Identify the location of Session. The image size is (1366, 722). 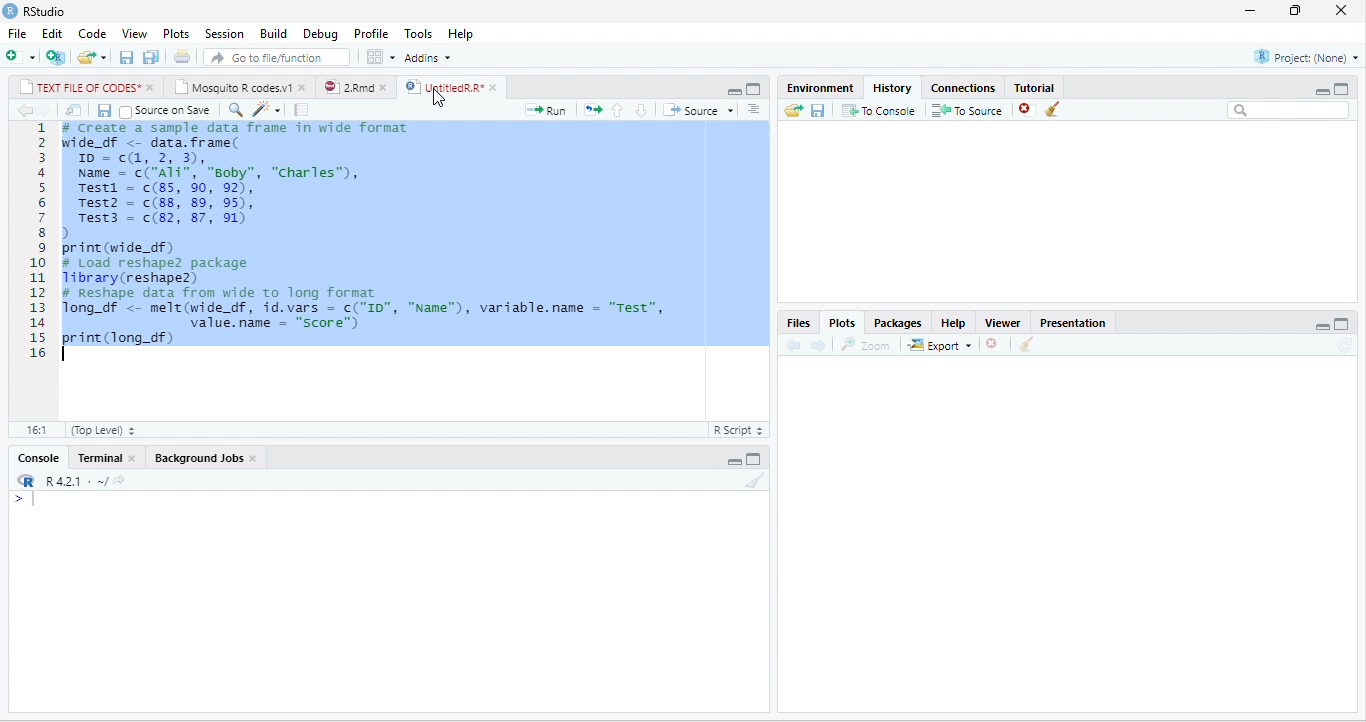
(225, 34).